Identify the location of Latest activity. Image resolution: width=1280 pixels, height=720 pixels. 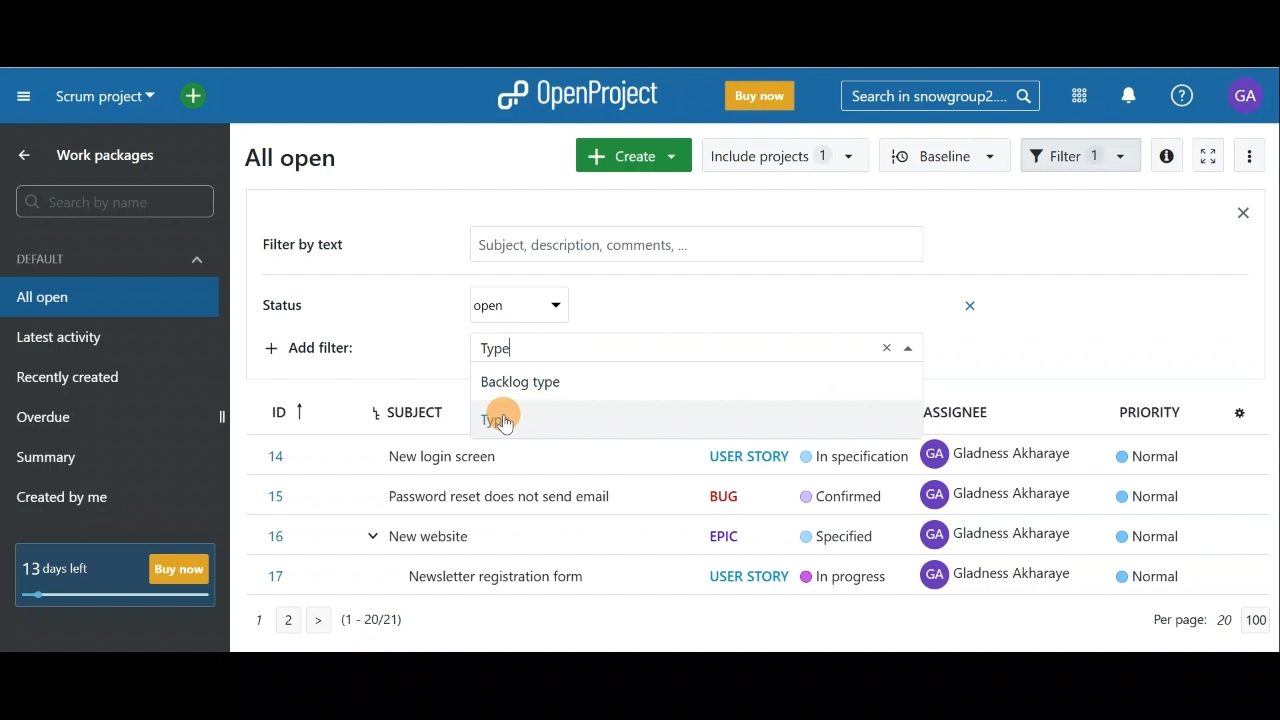
(62, 340).